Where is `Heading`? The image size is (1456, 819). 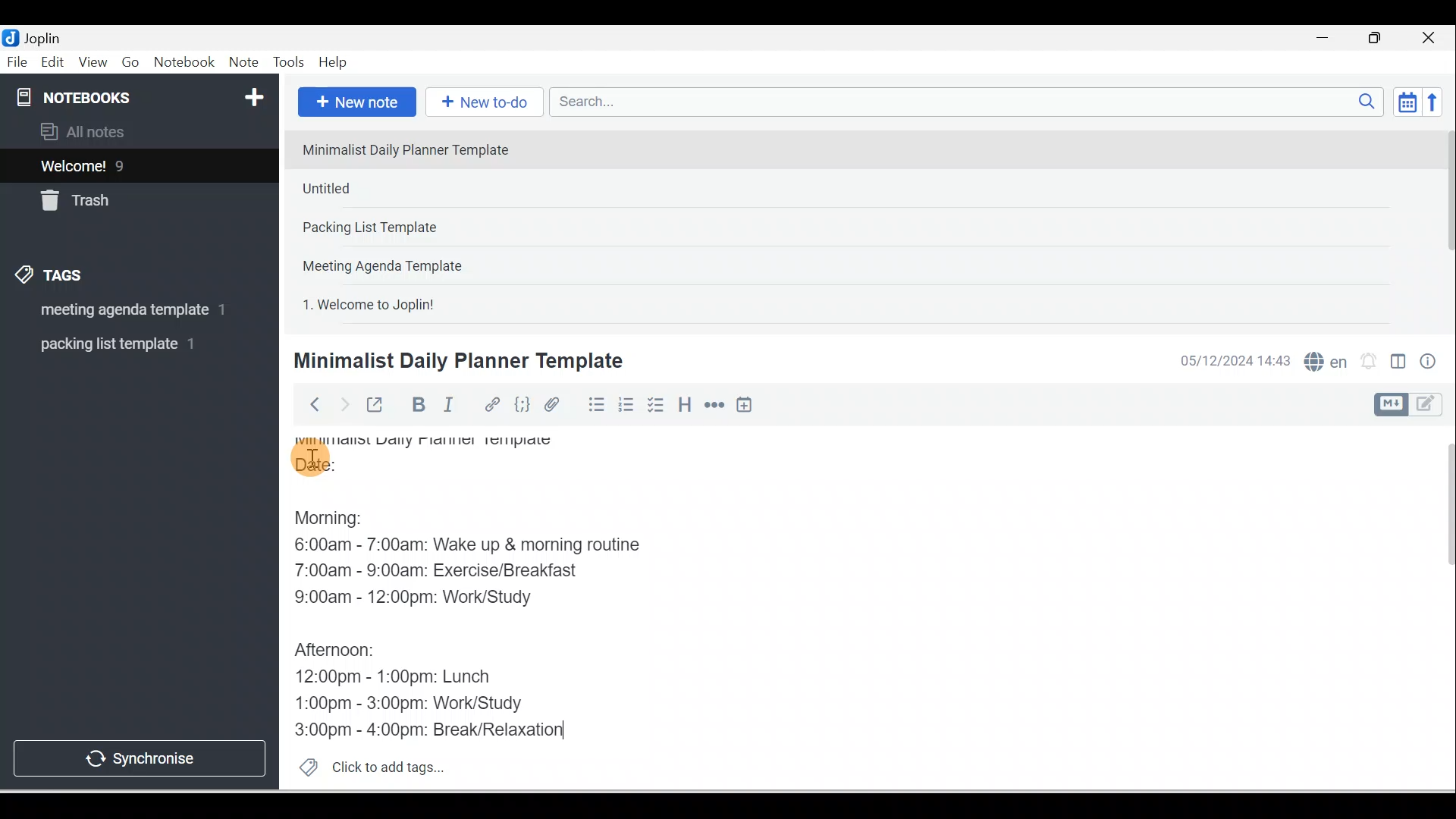
Heading is located at coordinates (684, 403).